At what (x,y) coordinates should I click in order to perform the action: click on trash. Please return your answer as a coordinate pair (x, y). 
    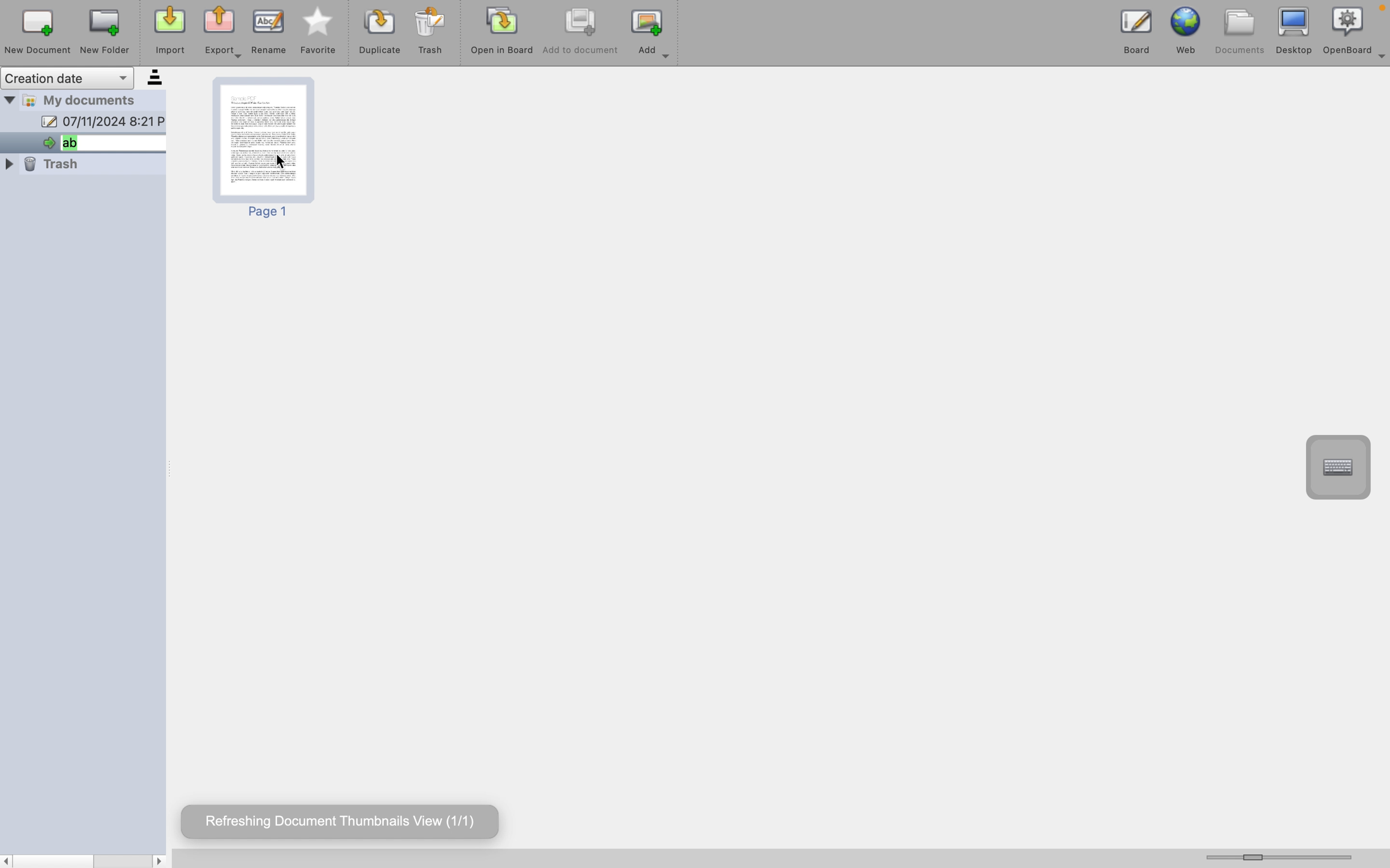
    Looking at the image, I should click on (432, 33).